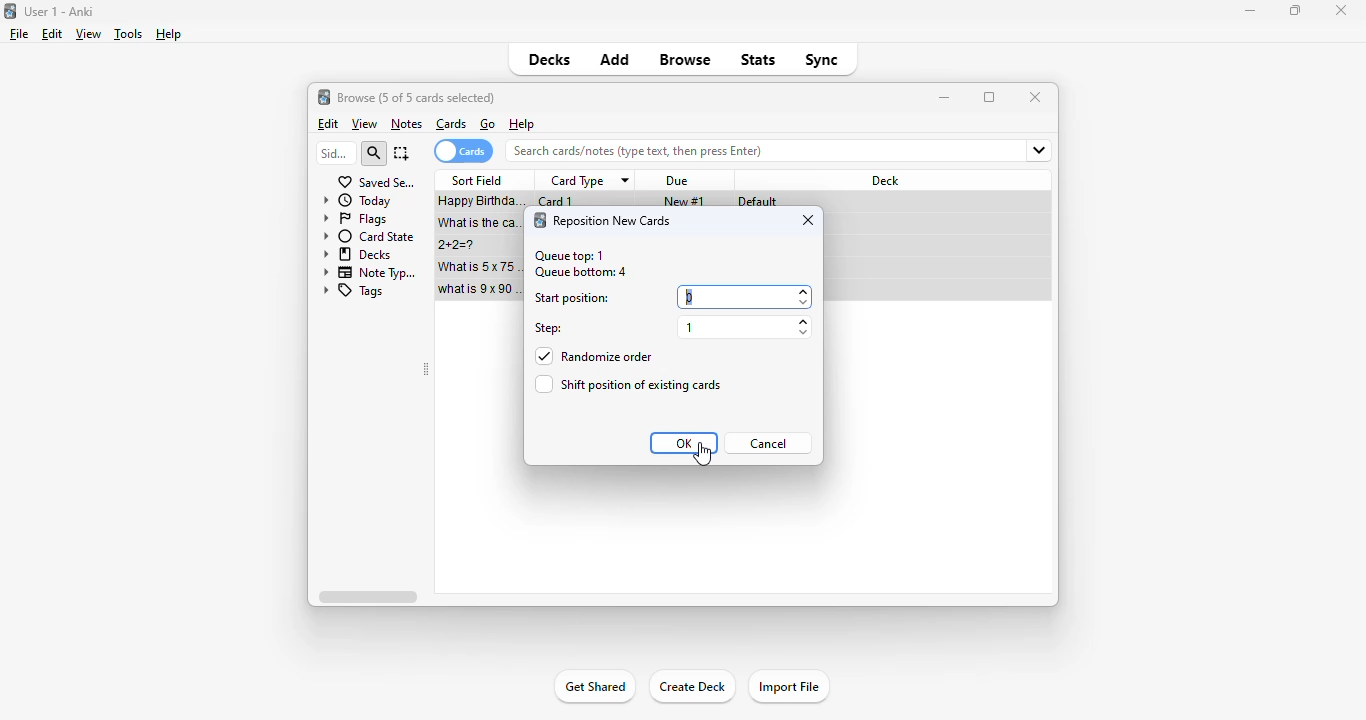 The width and height of the screenshot is (1366, 720). I want to click on card state, so click(370, 237).